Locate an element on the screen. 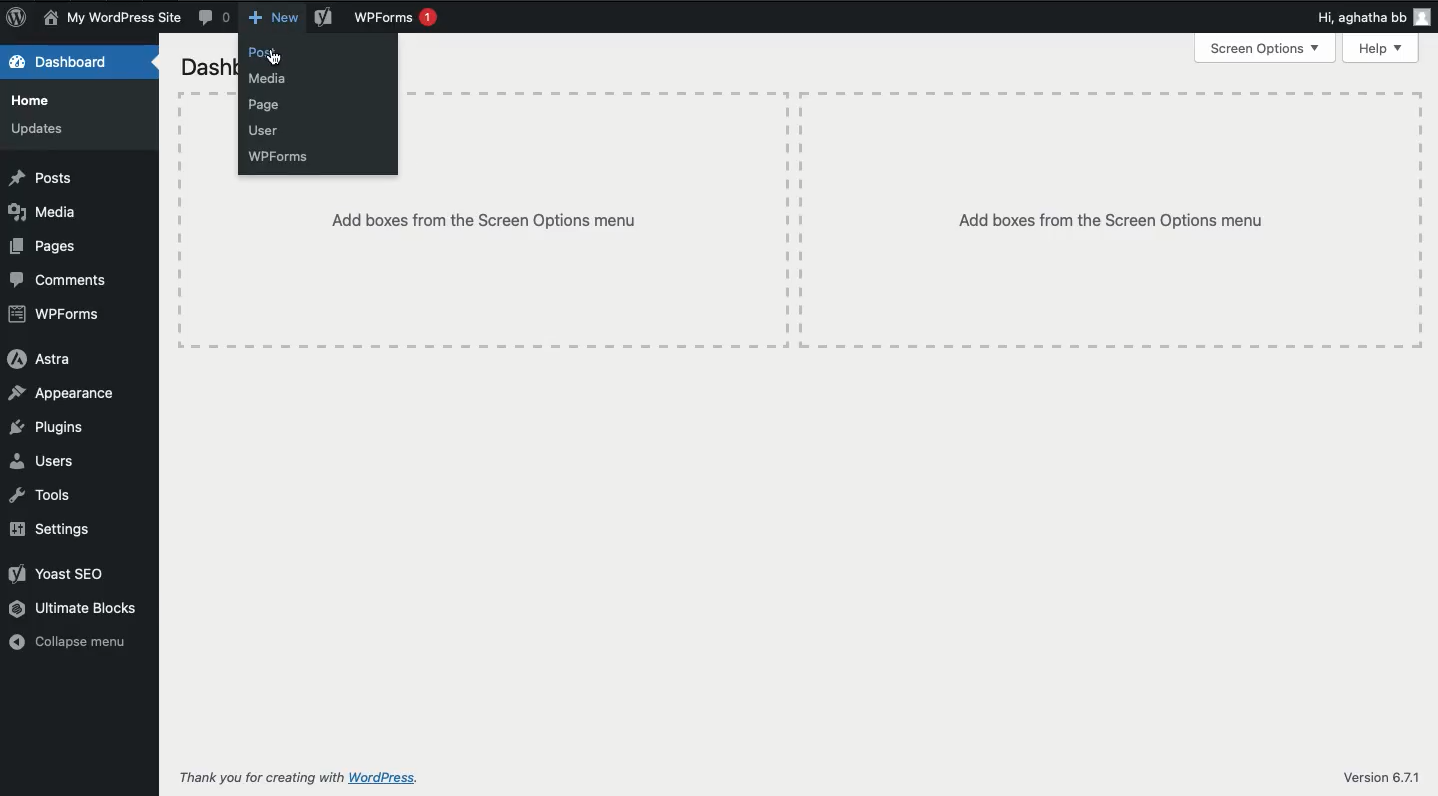 The height and width of the screenshot is (796, 1438). Yoast is located at coordinates (59, 574).